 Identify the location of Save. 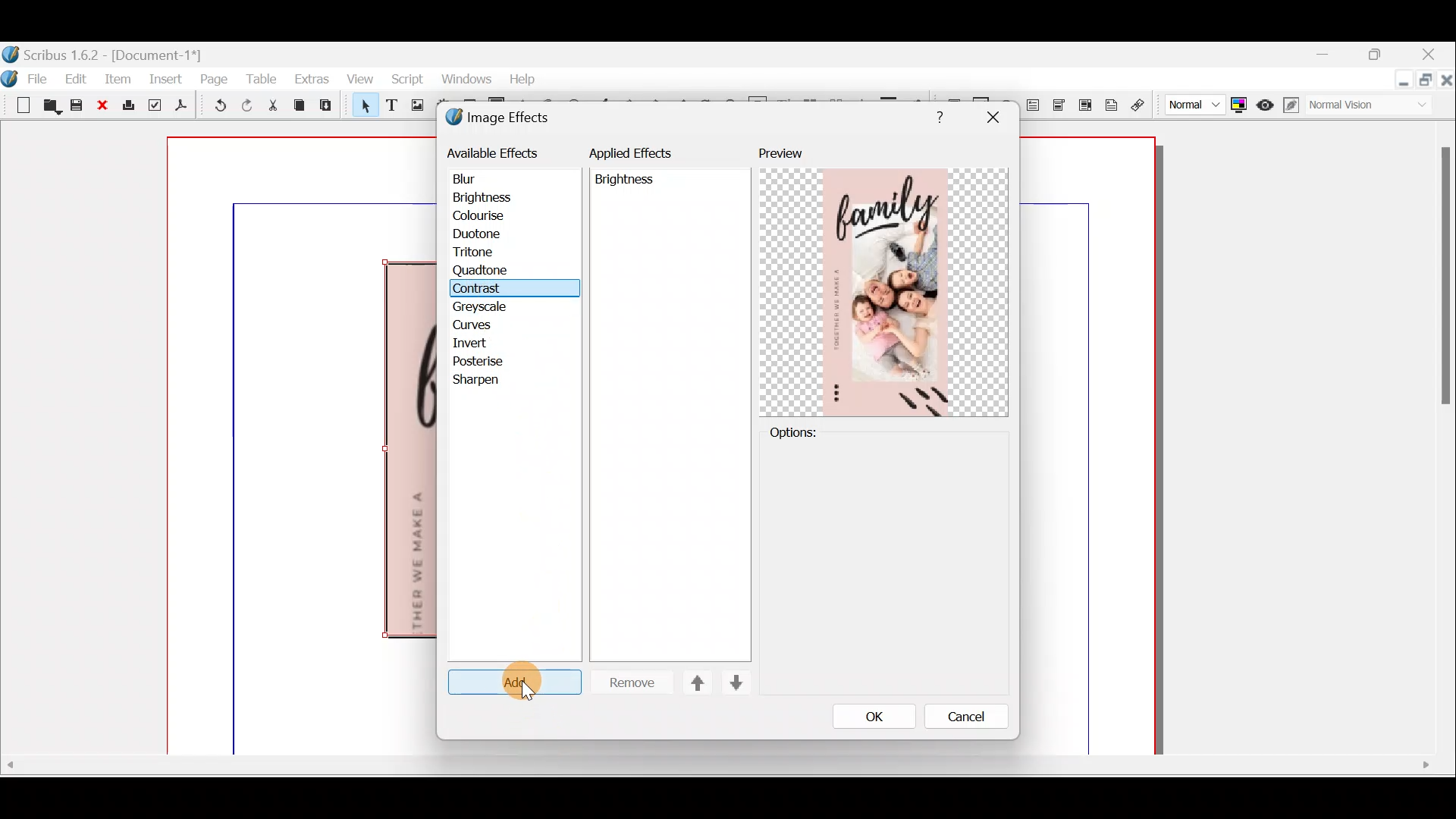
(79, 107).